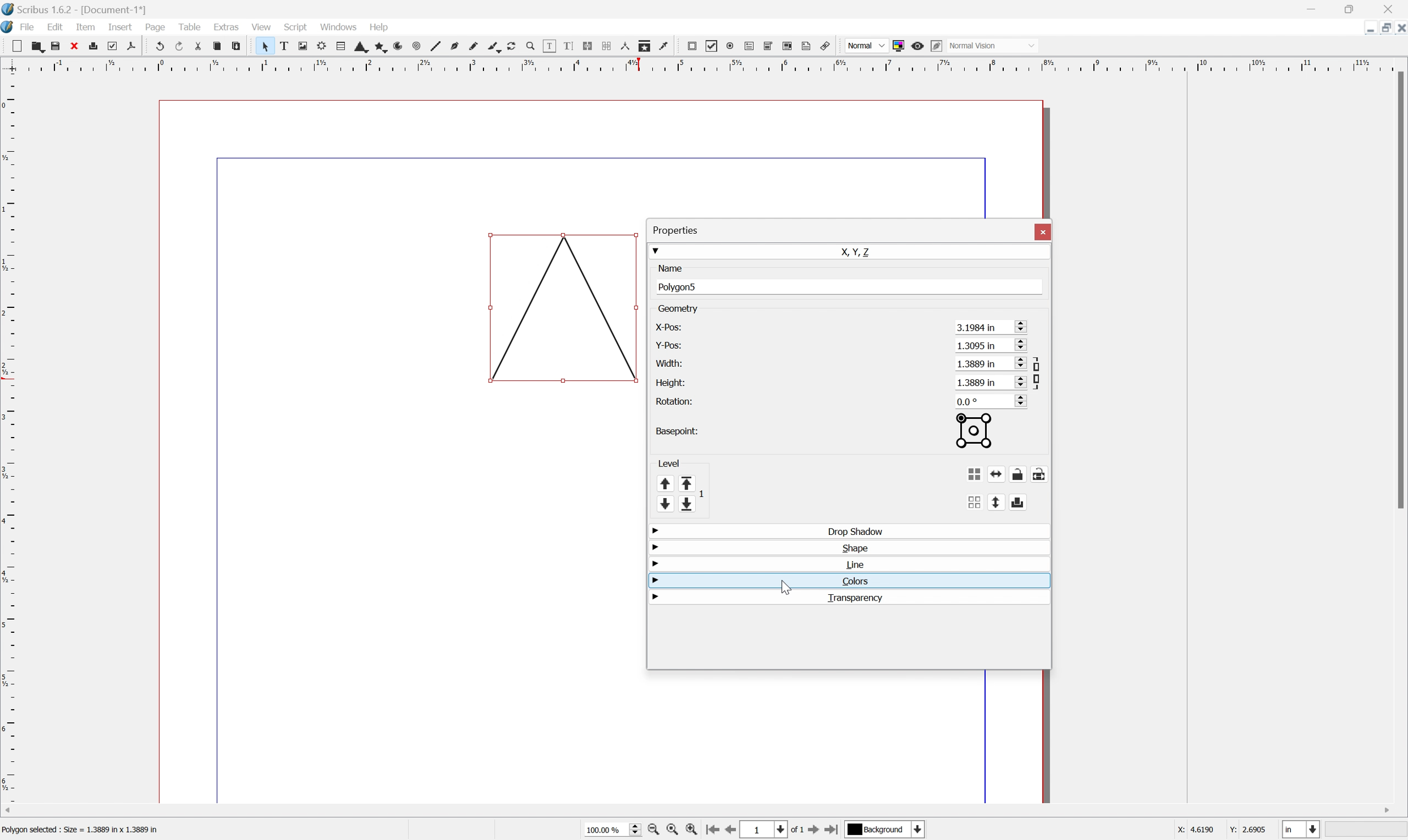  What do you see at coordinates (785, 584) in the screenshot?
I see `Cursor` at bounding box center [785, 584].